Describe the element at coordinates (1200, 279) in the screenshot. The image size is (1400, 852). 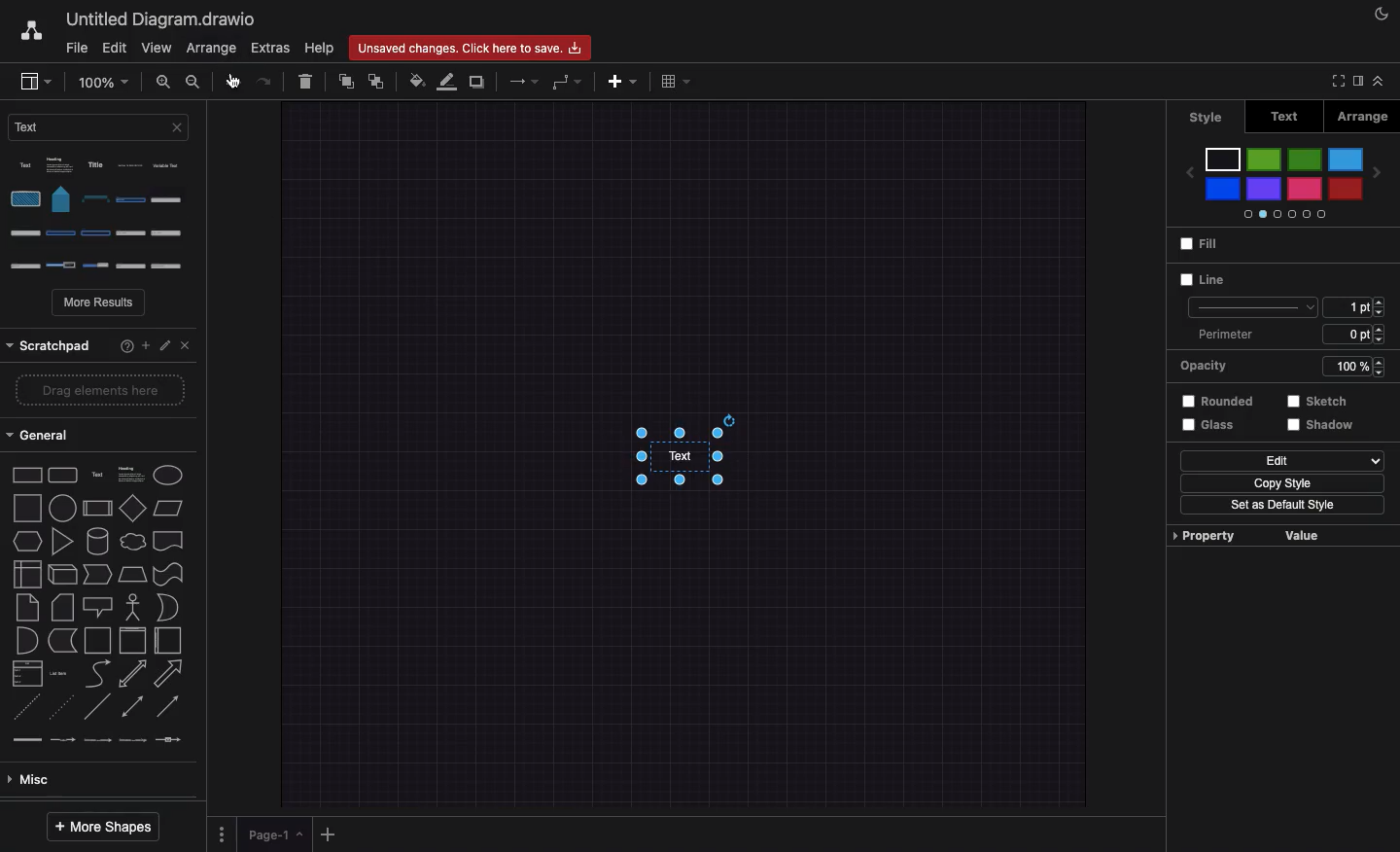
I see `Line` at that location.